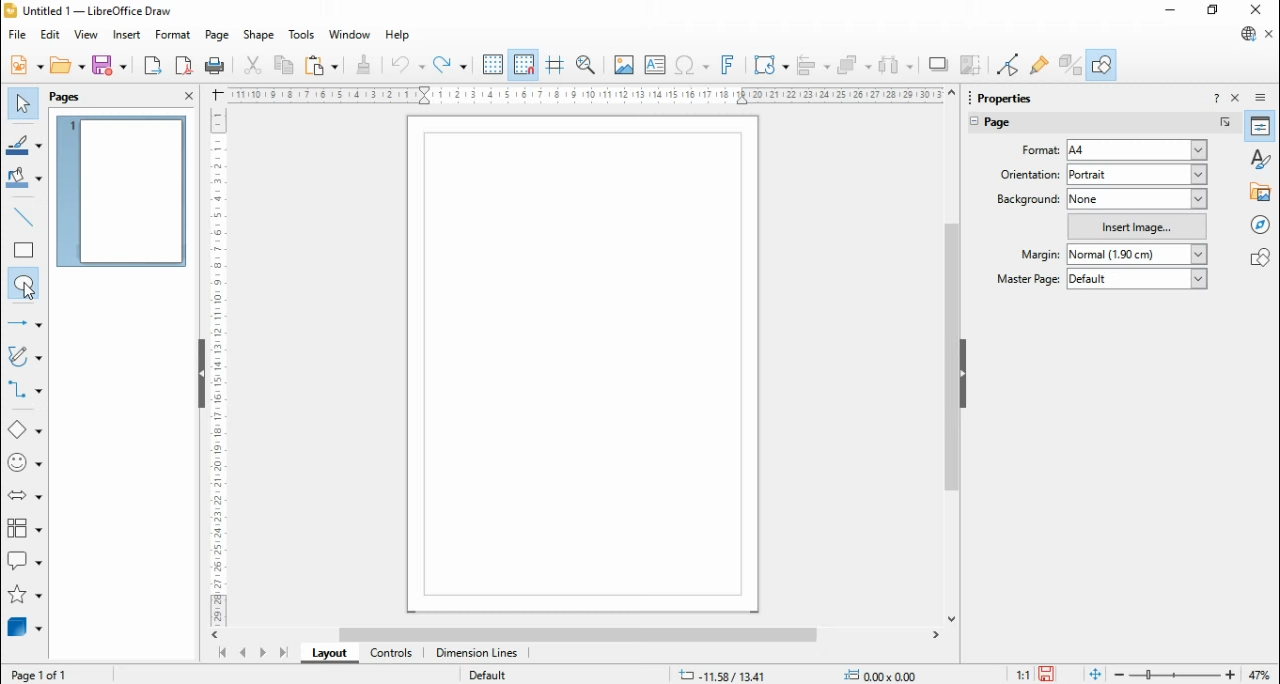  I want to click on zoom and pan, so click(586, 66).